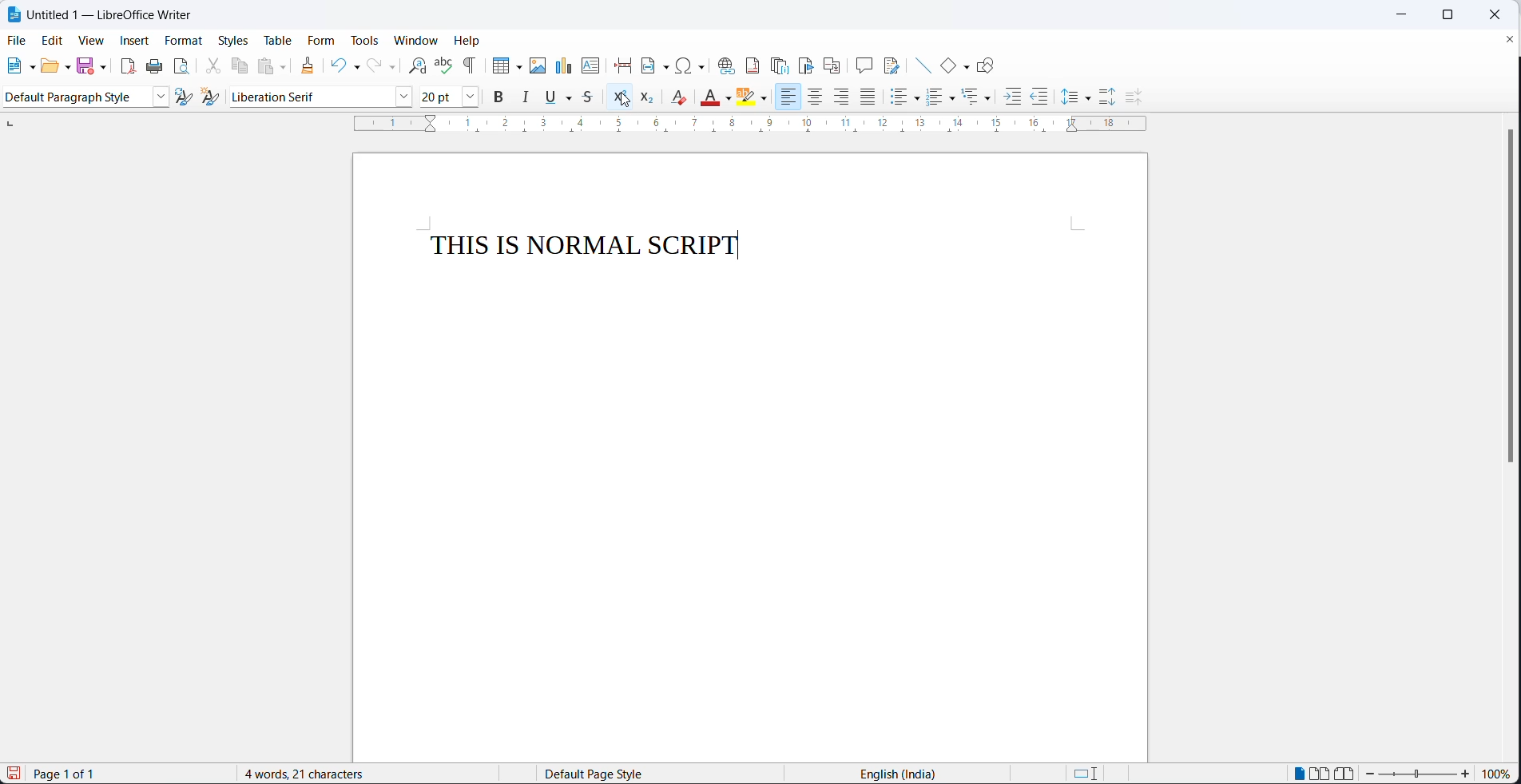 The height and width of the screenshot is (784, 1521). What do you see at coordinates (216, 100) in the screenshot?
I see `create new style from selection` at bounding box center [216, 100].